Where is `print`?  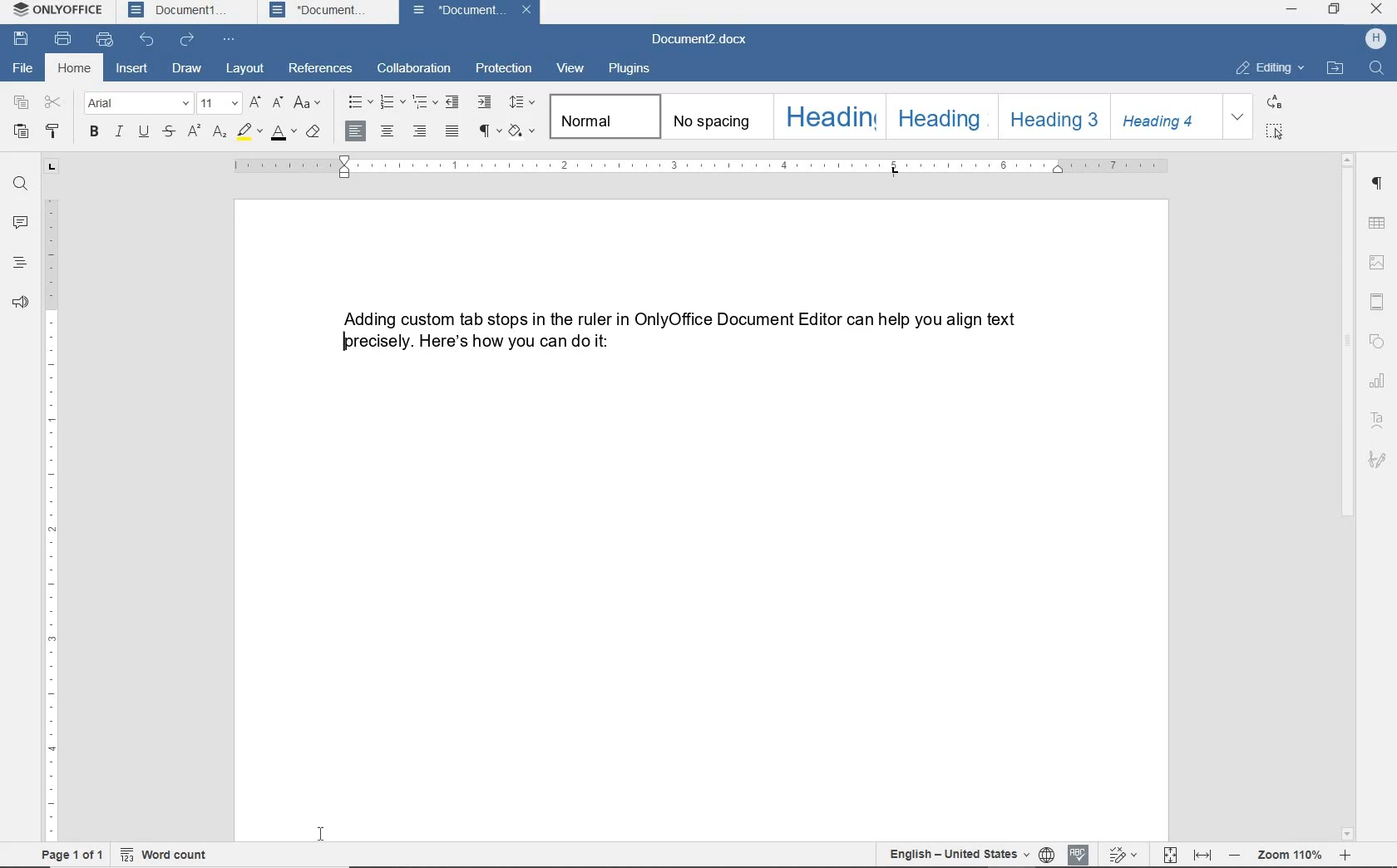 print is located at coordinates (63, 39).